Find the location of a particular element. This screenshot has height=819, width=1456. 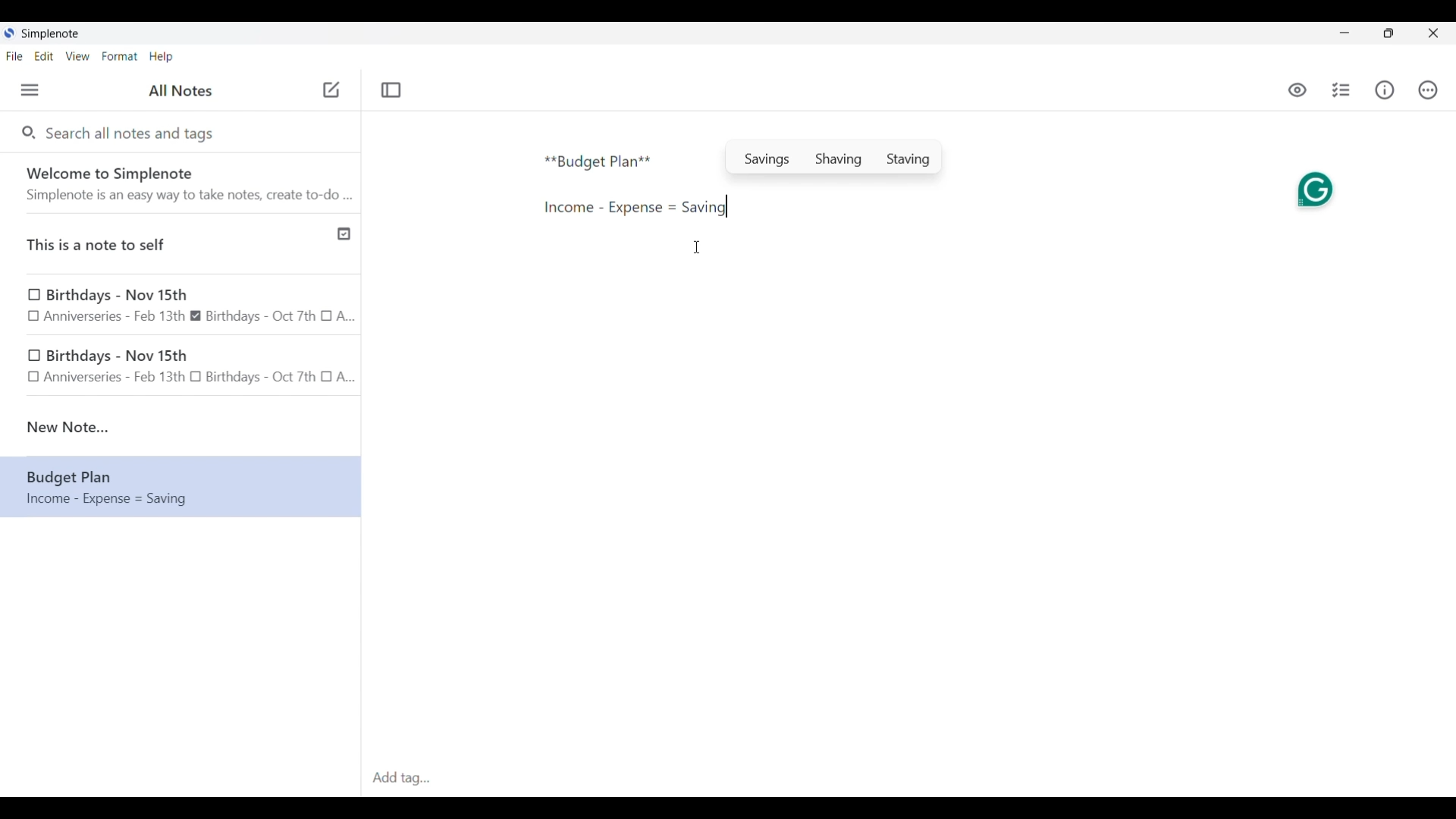

Edit menu is located at coordinates (45, 55).